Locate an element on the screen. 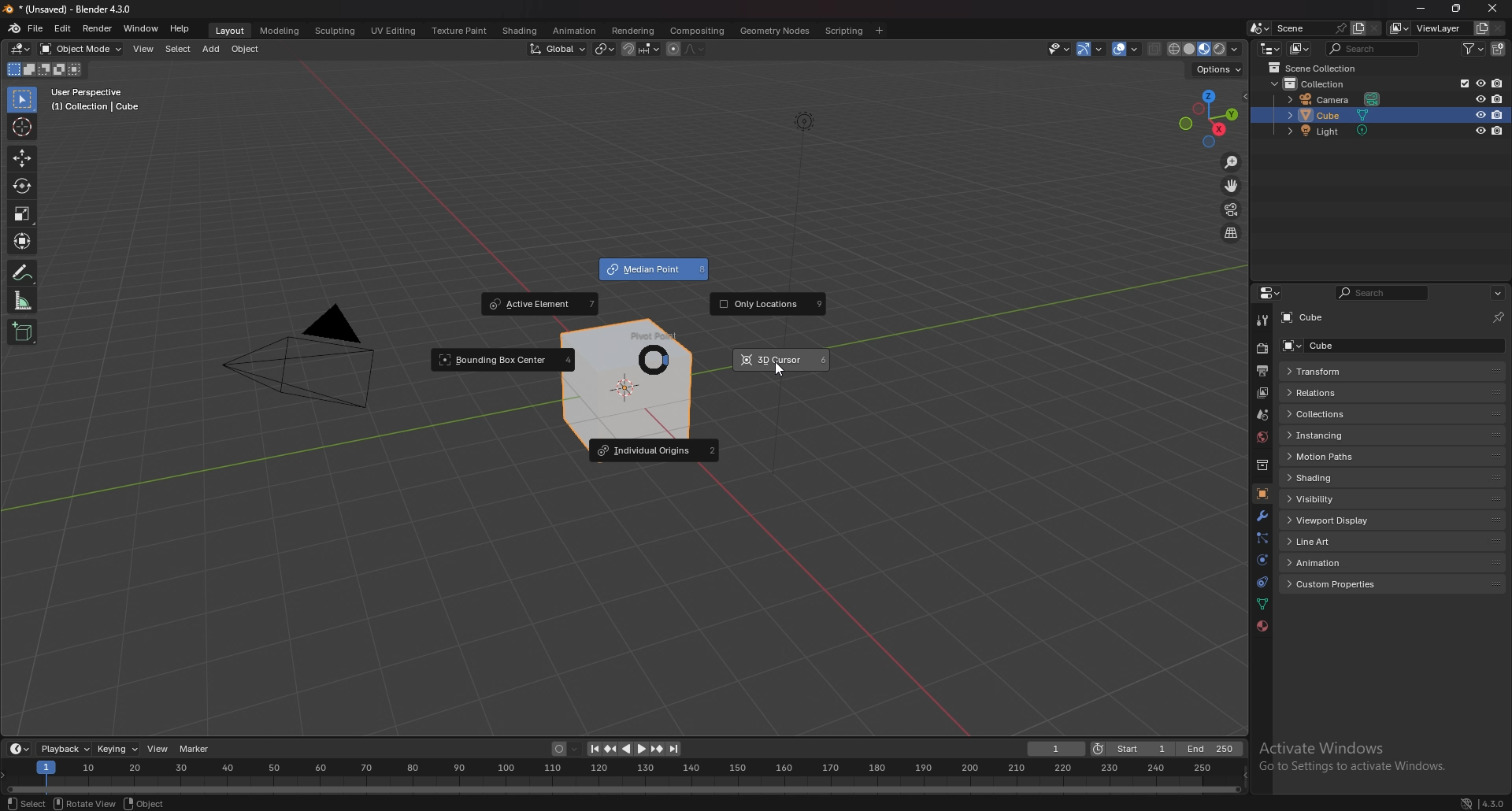 The image size is (1512, 811). disable in renders is located at coordinates (1499, 99).